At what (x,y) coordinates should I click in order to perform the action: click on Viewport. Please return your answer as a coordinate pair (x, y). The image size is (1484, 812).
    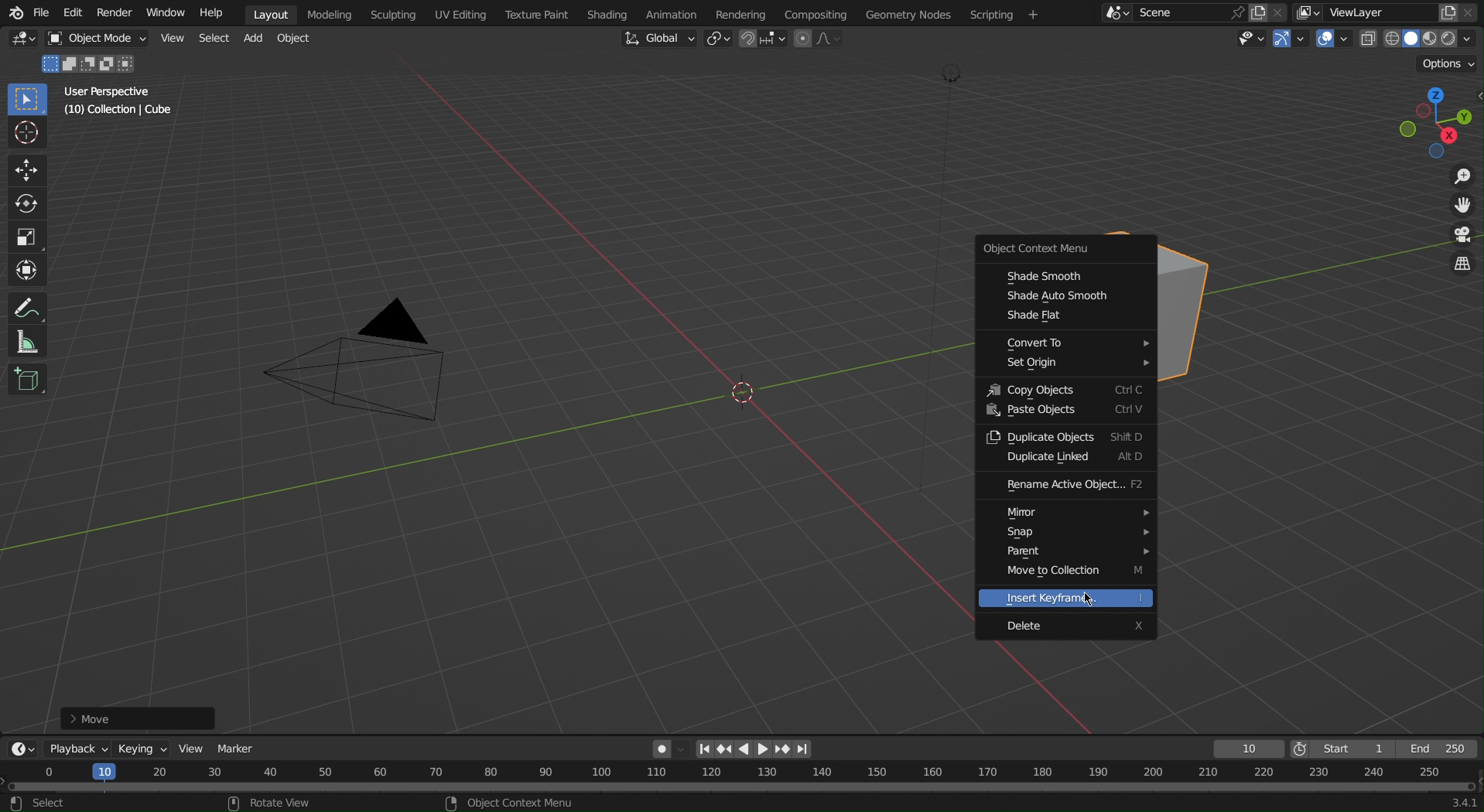
    Looking at the image, I should click on (1431, 118).